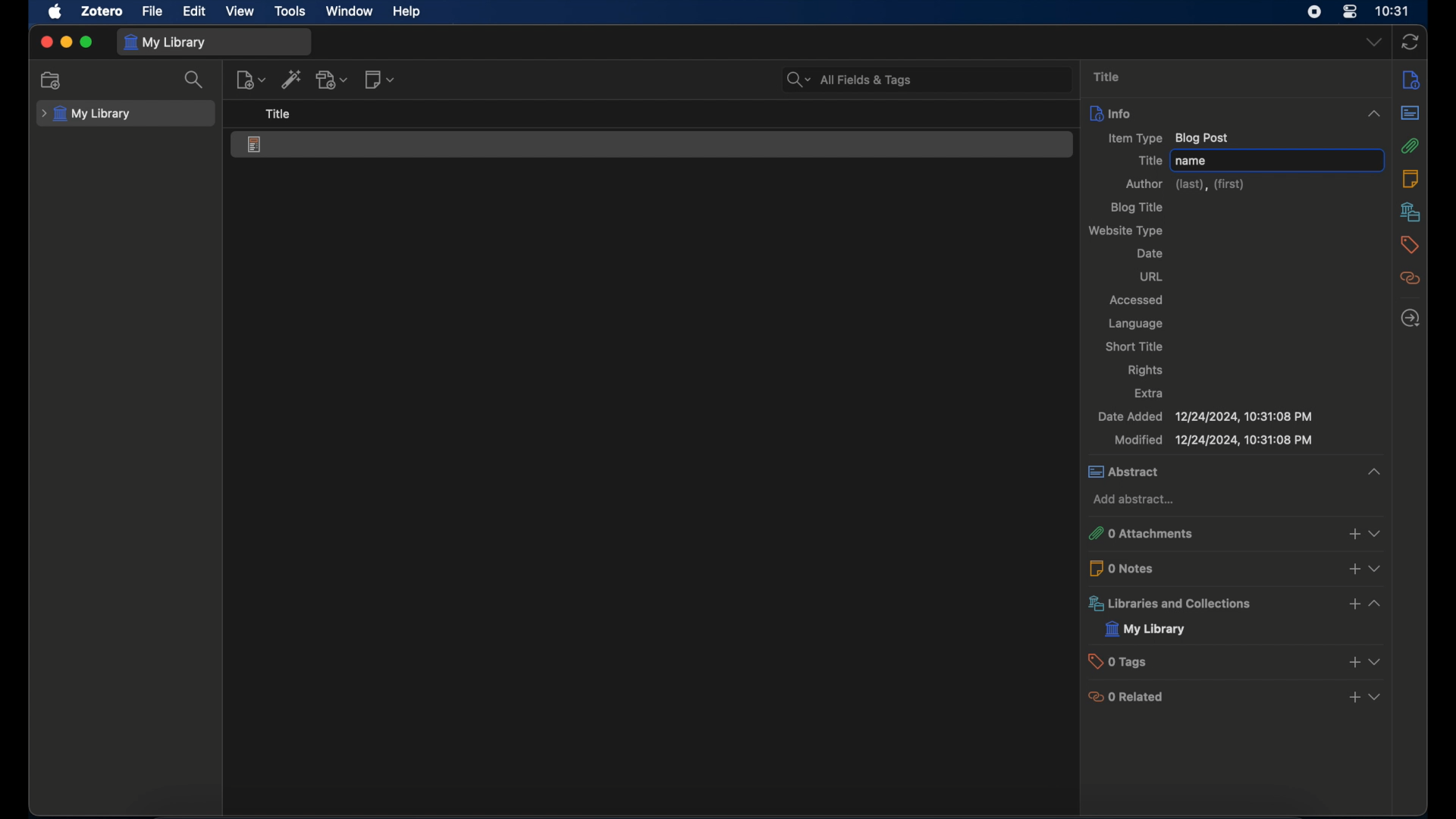 This screenshot has height=819, width=1456. What do you see at coordinates (1139, 208) in the screenshot?
I see `blog title` at bounding box center [1139, 208].